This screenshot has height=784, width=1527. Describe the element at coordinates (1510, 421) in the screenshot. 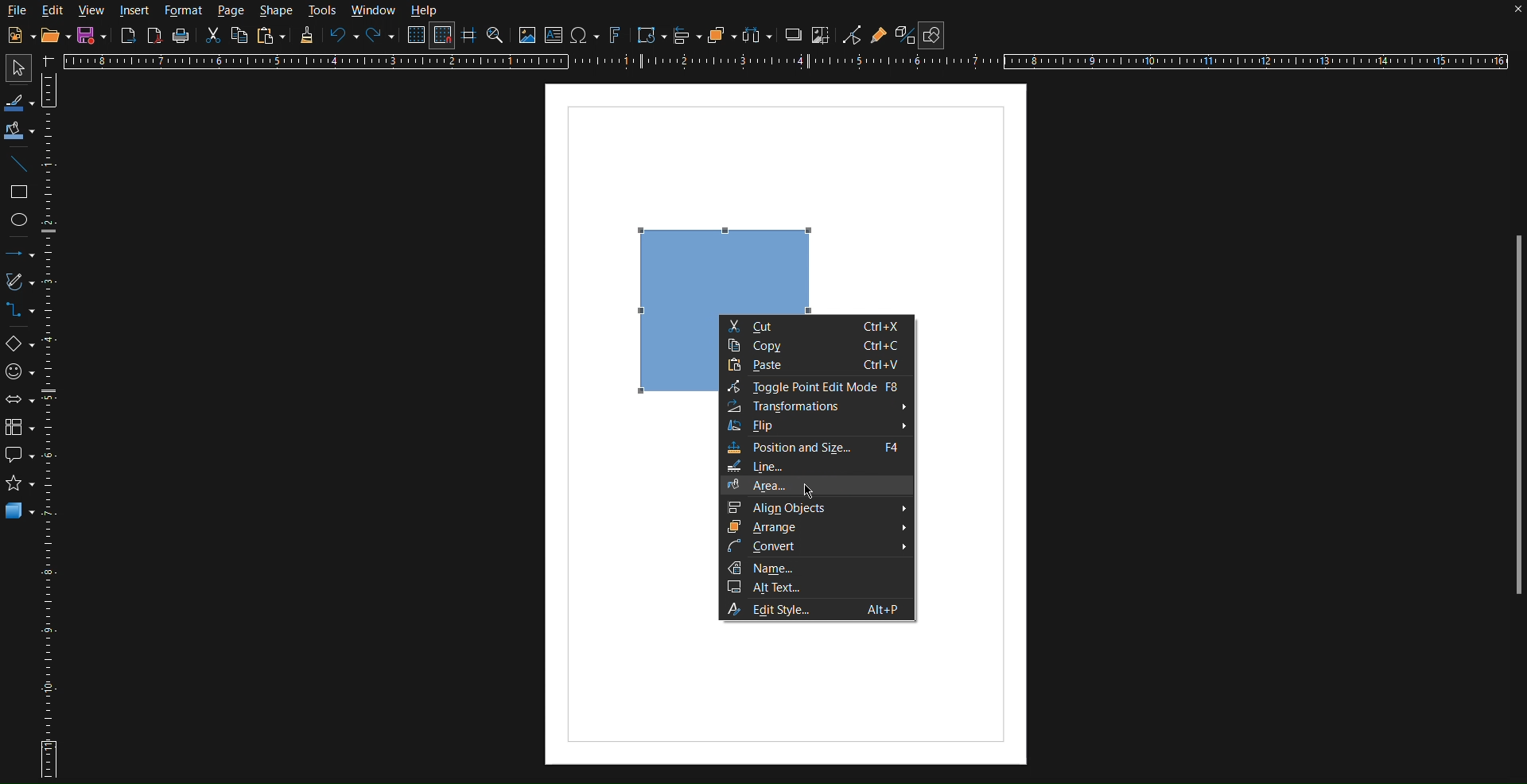

I see `scroll bar` at that location.